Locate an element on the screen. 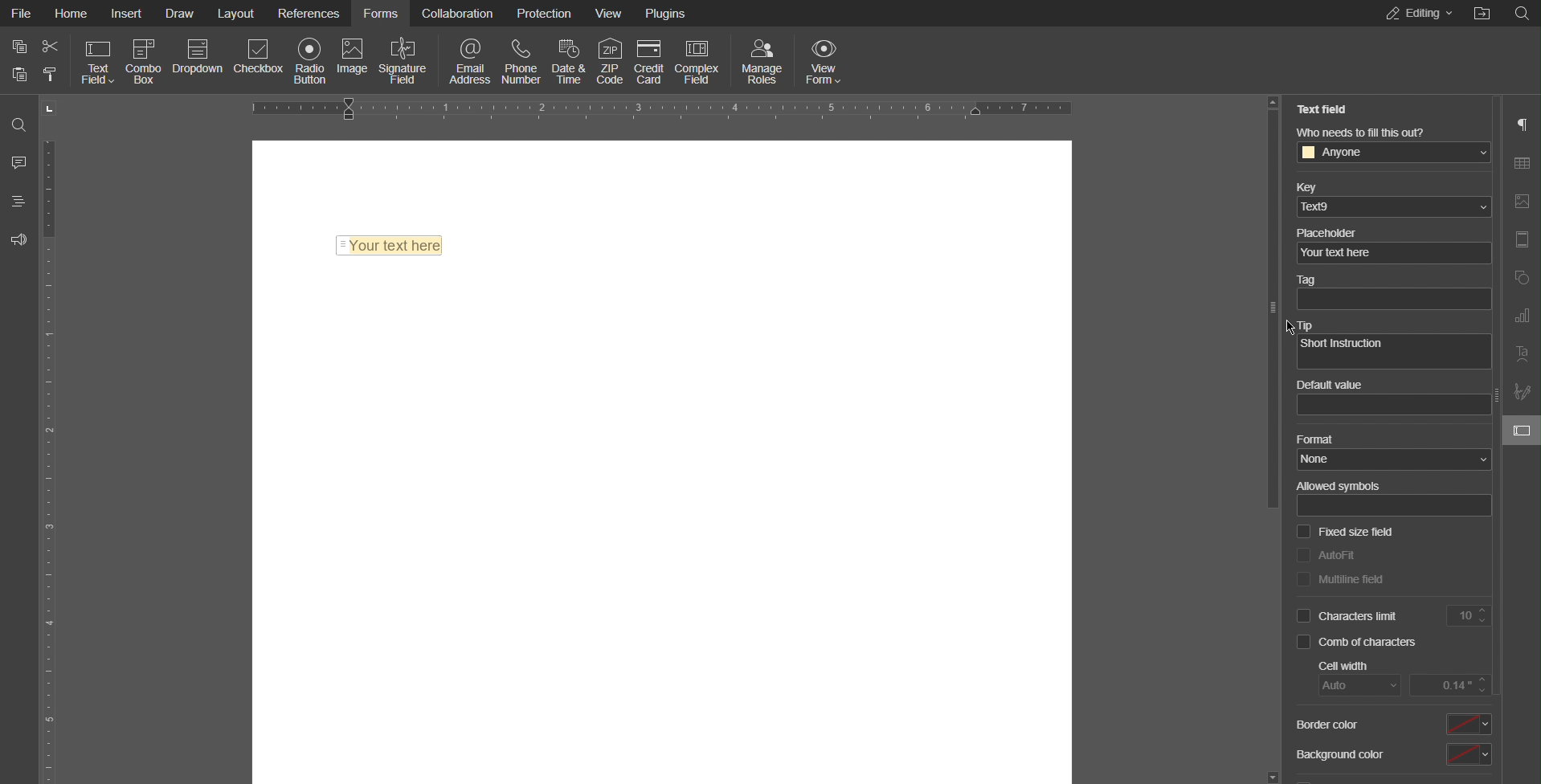 The width and height of the screenshot is (1541, 784). checkbox is located at coordinates (1304, 579).